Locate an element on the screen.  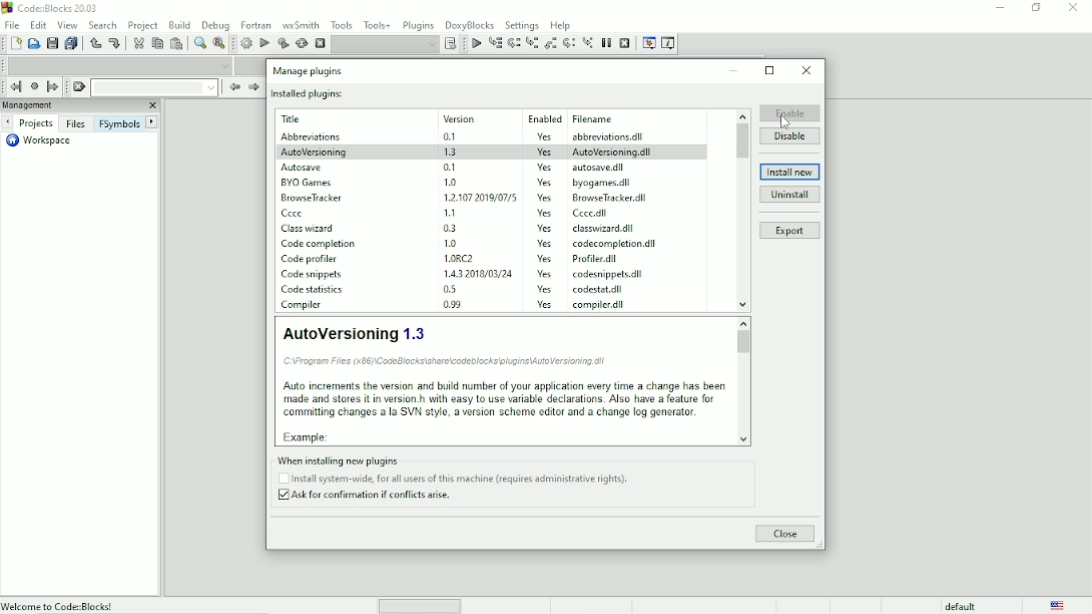
bar is located at coordinates (420, 607).